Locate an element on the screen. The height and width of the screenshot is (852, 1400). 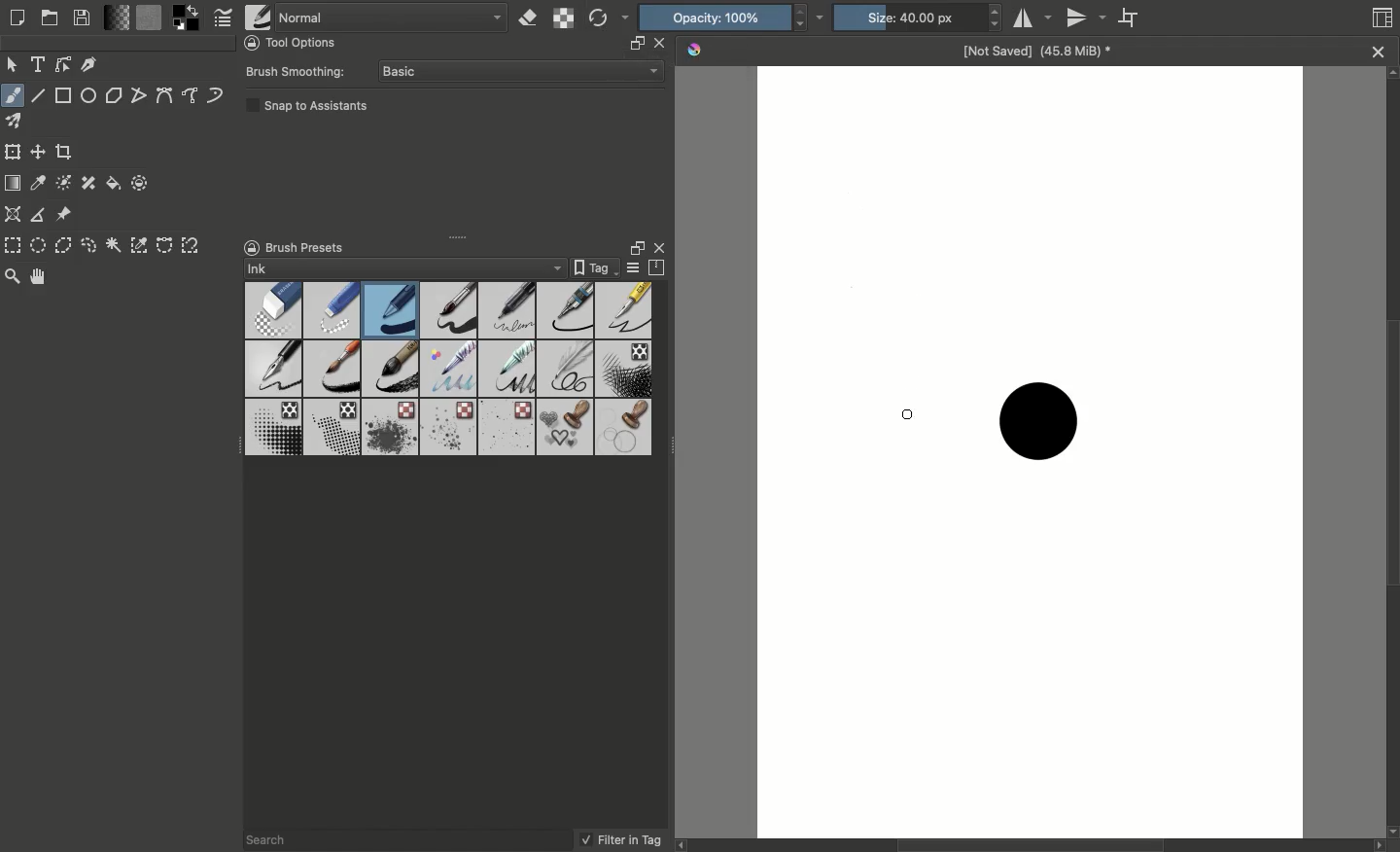
Brush stroke is located at coordinates (1039, 418).